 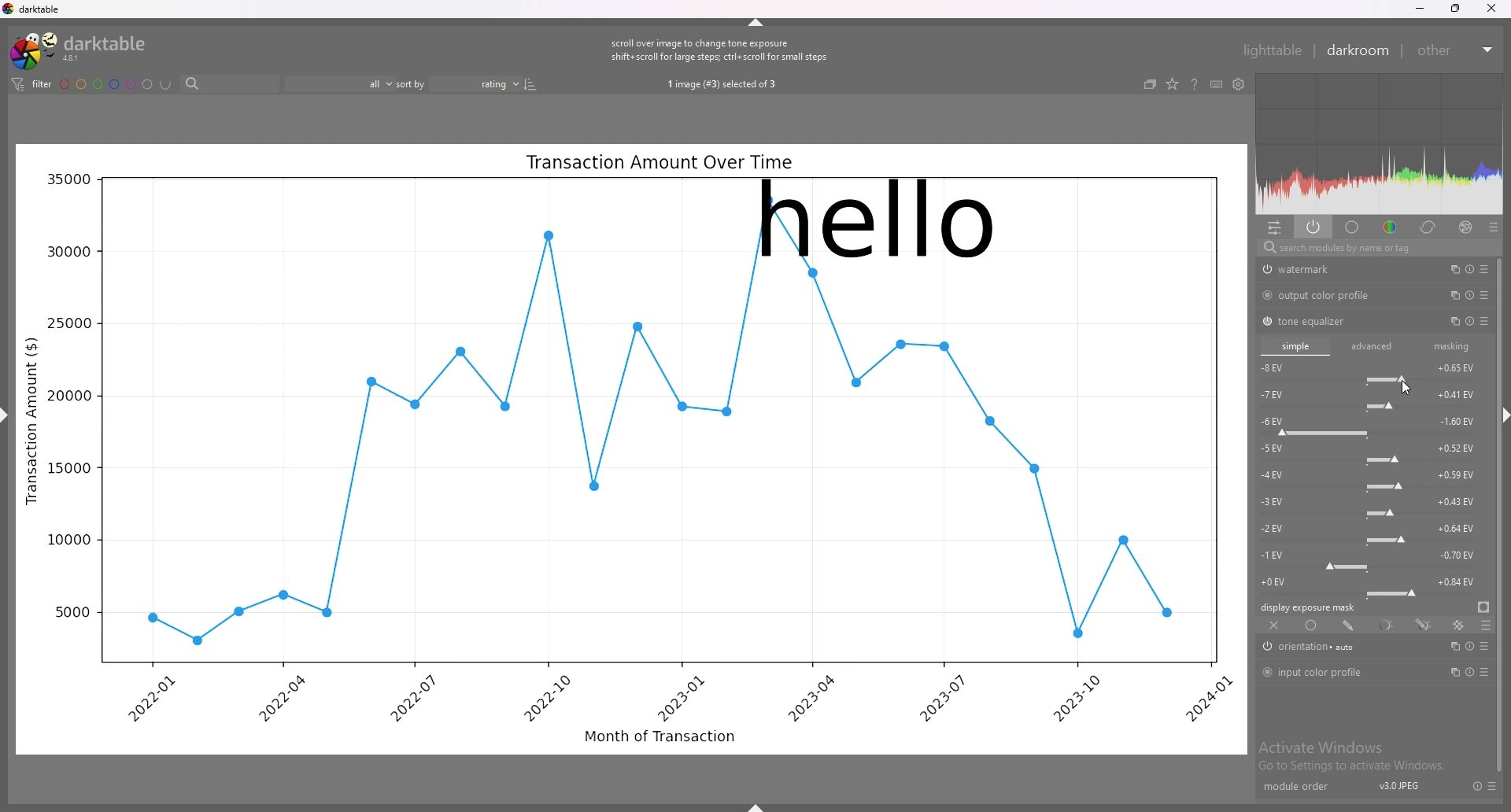 What do you see at coordinates (940, 697) in the screenshot?
I see `2023-07` at bounding box center [940, 697].